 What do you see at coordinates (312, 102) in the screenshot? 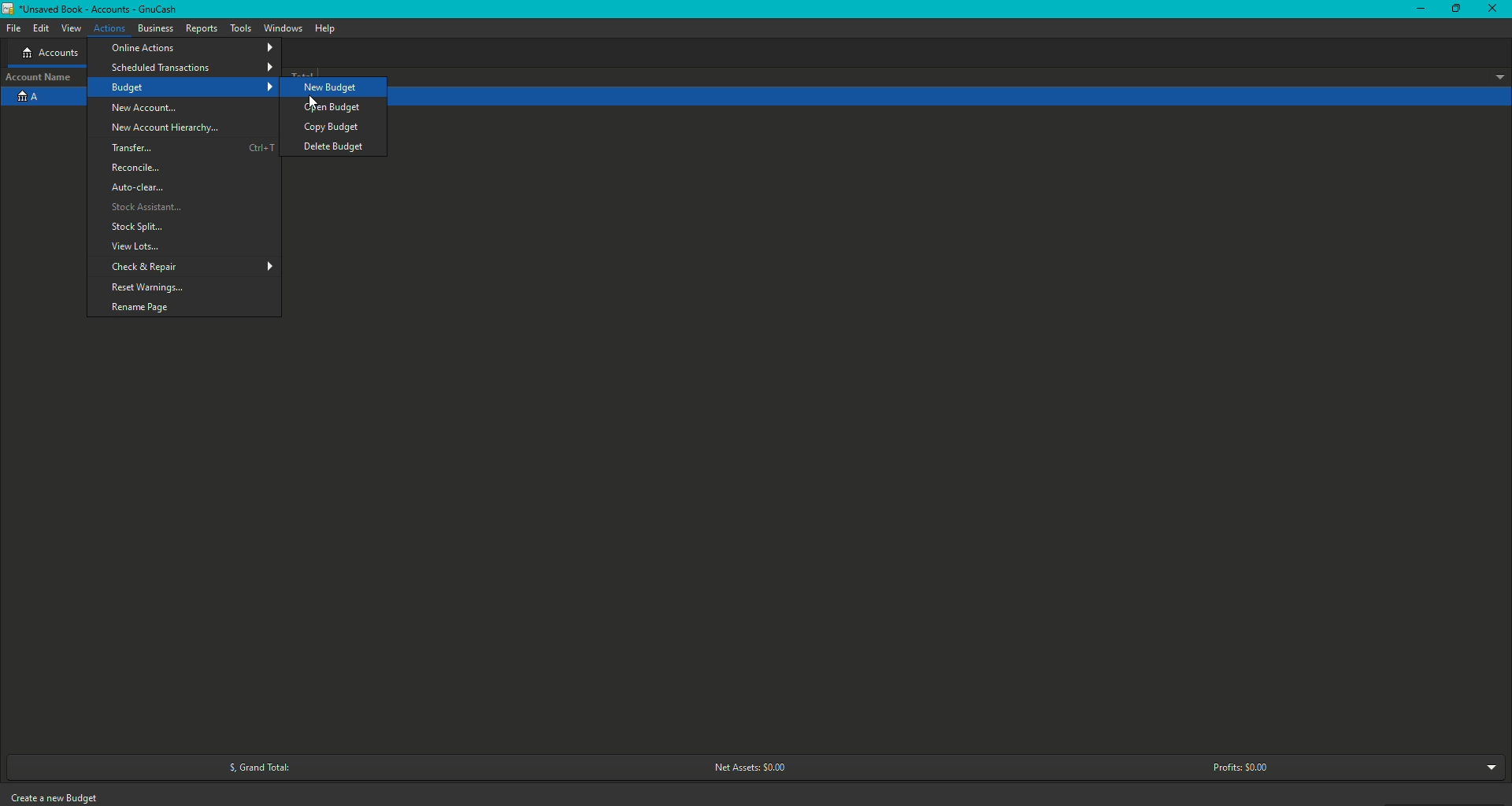
I see `Cursor` at bounding box center [312, 102].